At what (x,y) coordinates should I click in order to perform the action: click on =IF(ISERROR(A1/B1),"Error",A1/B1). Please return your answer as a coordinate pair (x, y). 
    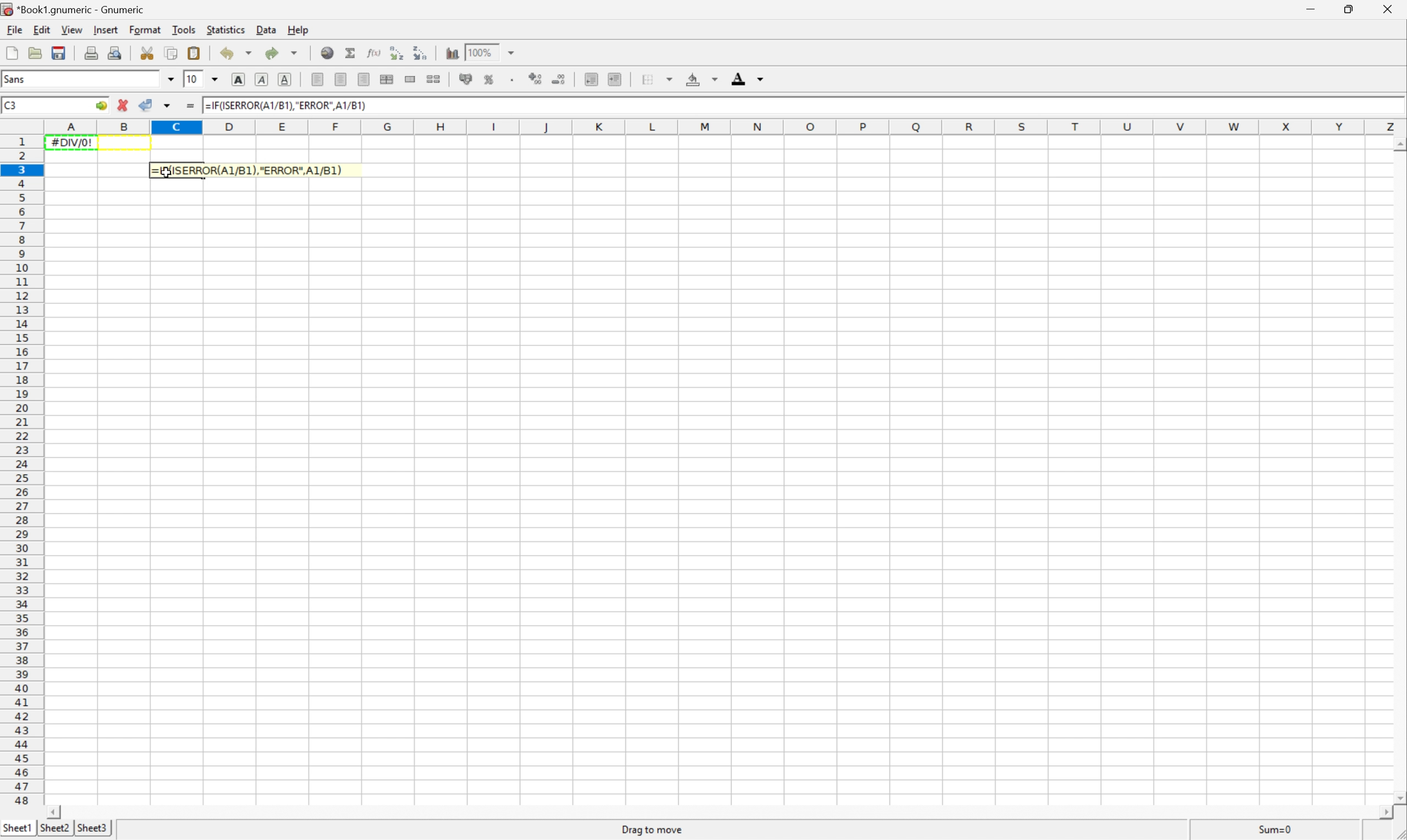
    Looking at the image, I should click on (247, 170).